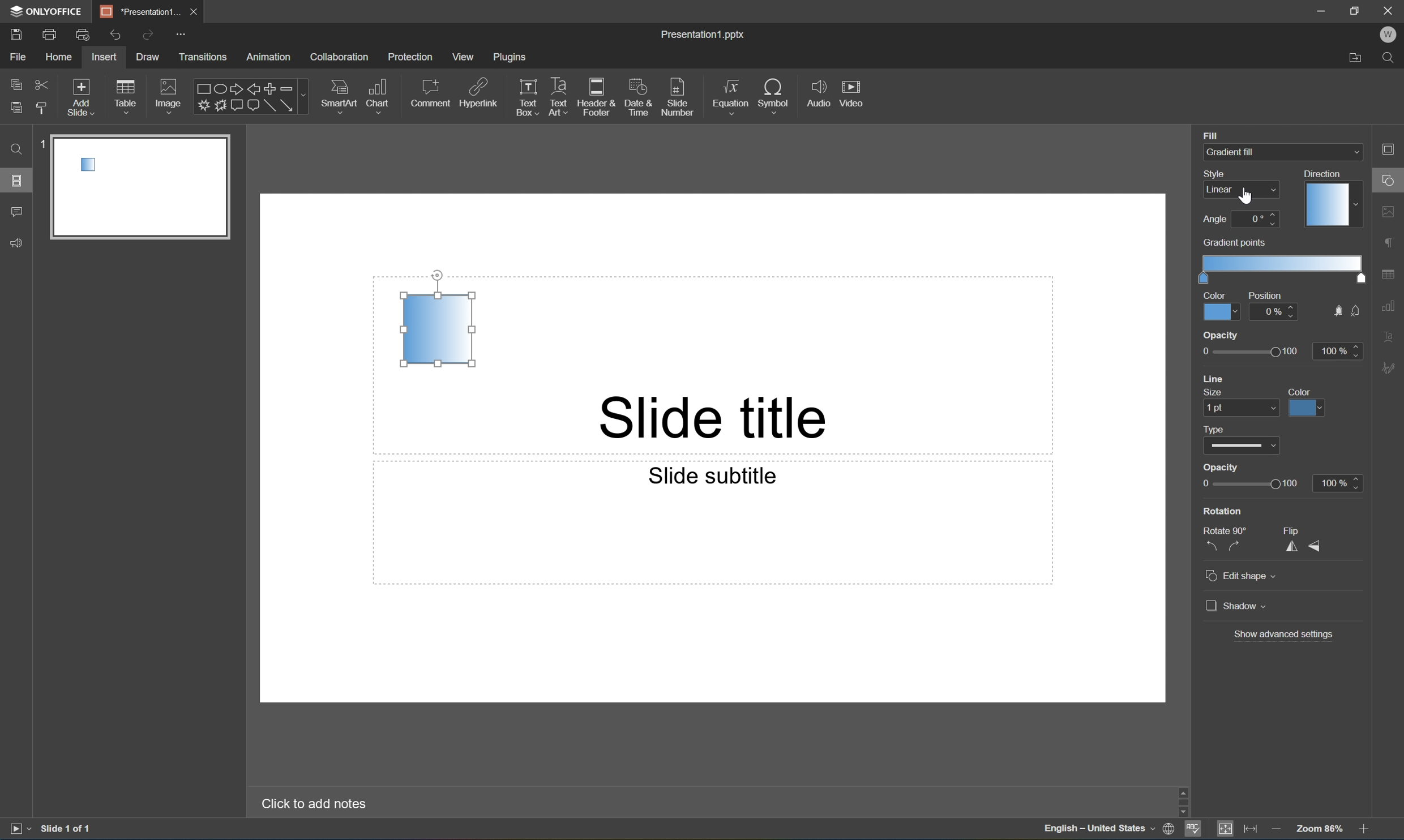 The height and width of the screenshot is (840, 1404). I want to click on Rotate 90°, so click(1227, 532).